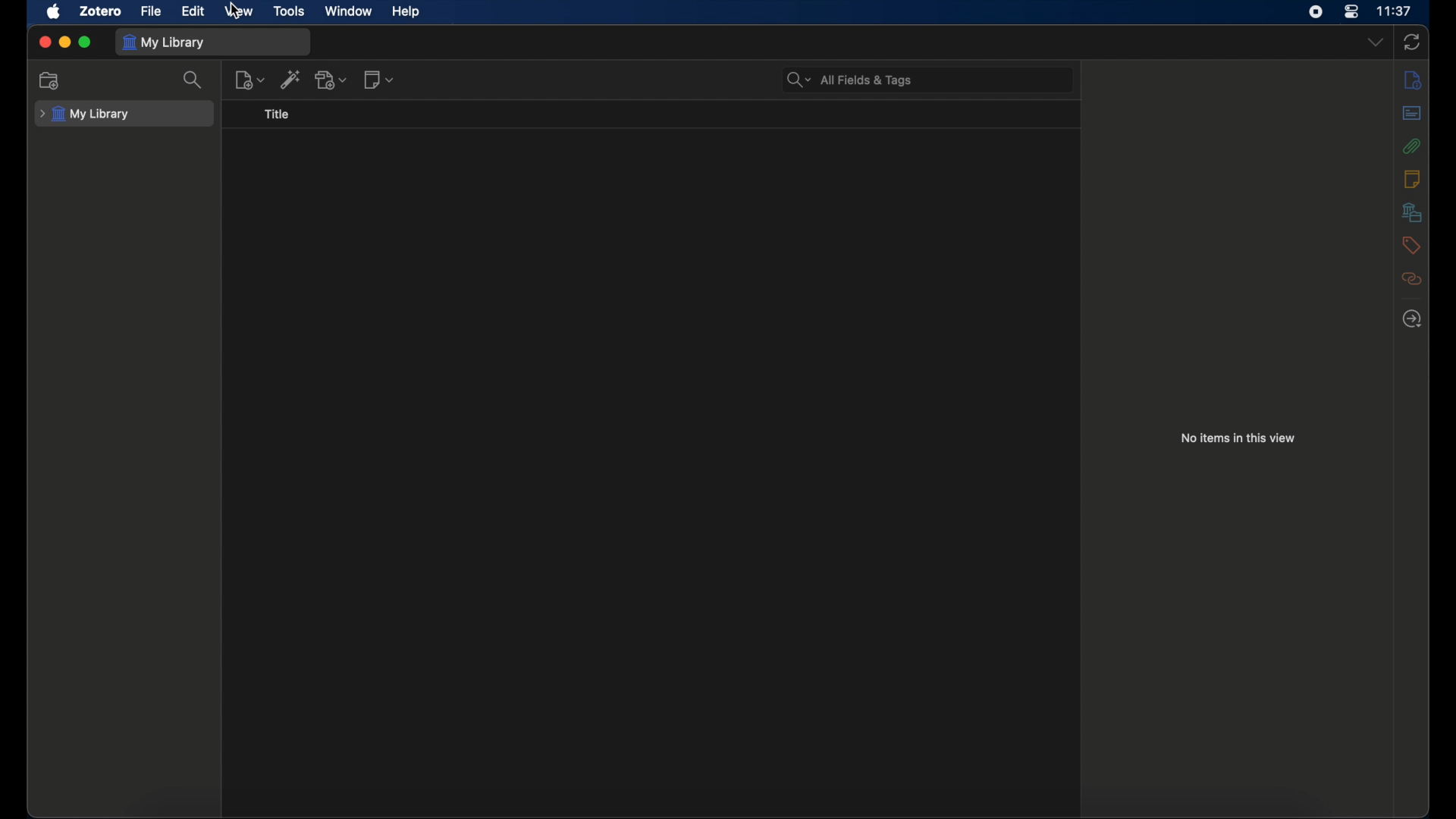 This screenshot has height=819, width=1456. What do you see at coordinates (332, 79) in the screenshot?
I see `add attachments` at bounding box center [332, 79].